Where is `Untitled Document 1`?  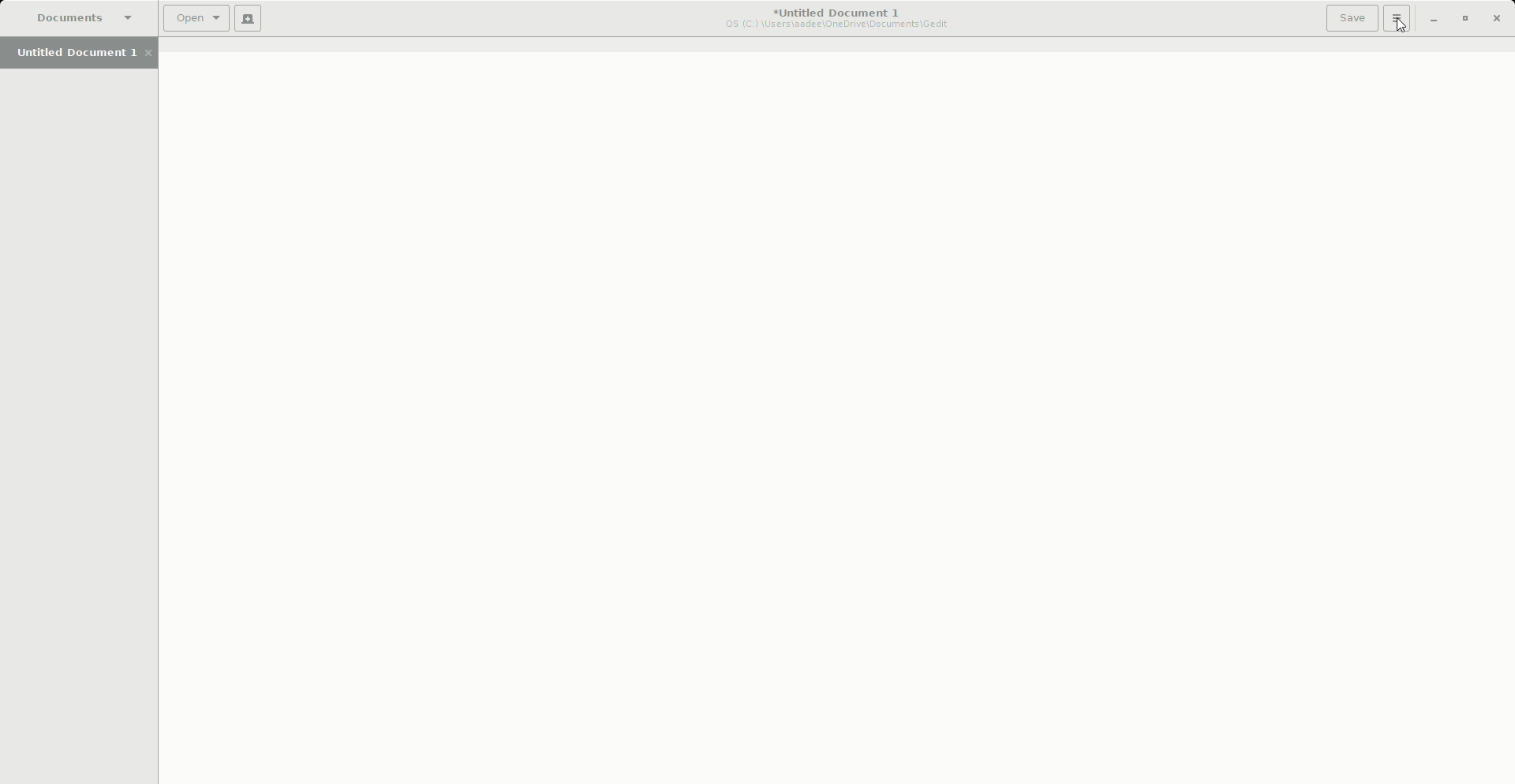
Untitled Document 1 is located at coordinates (79, 54).